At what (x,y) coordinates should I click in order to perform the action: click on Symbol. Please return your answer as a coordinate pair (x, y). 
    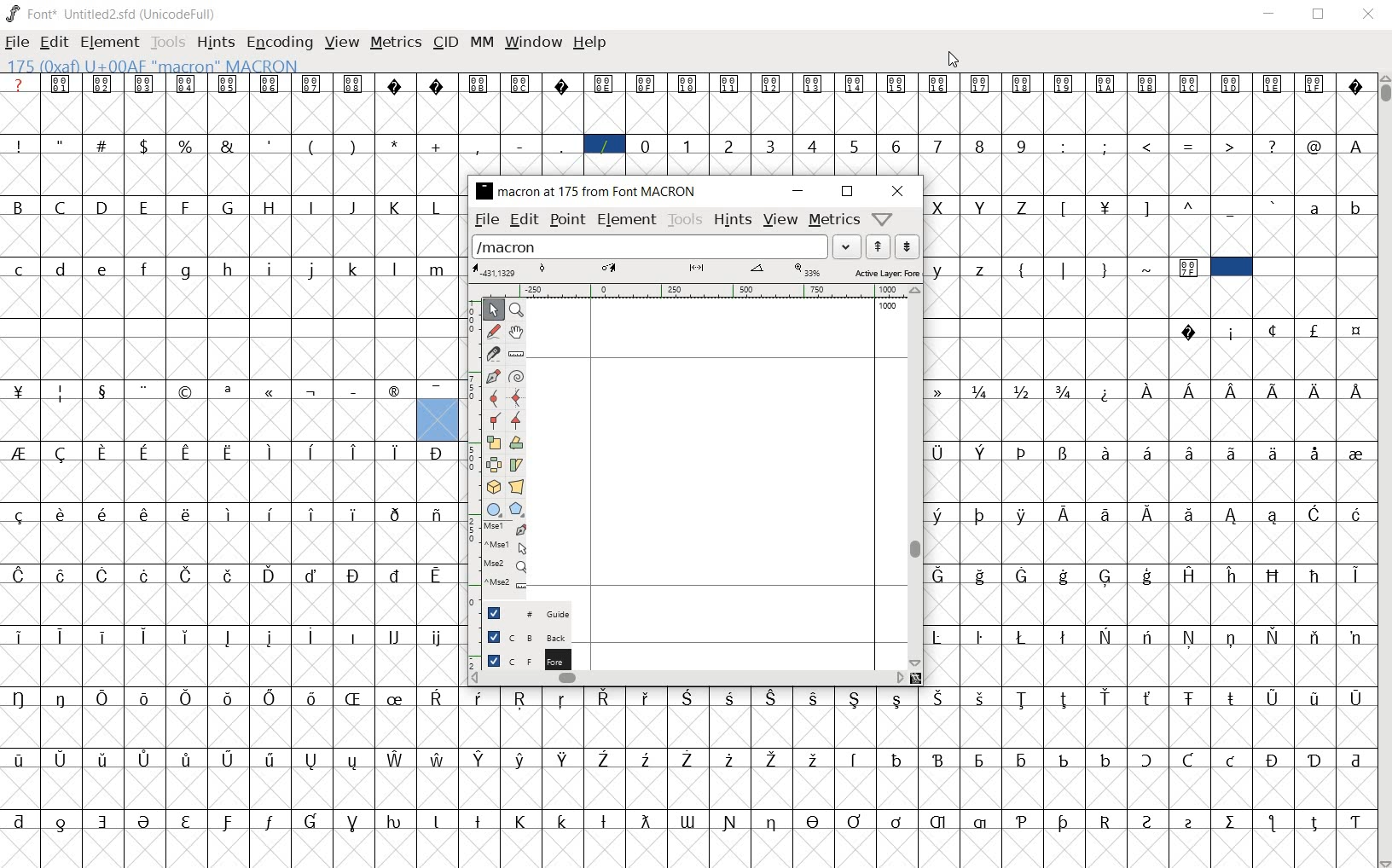
    Looking at the image, I should click on (1192, 333).